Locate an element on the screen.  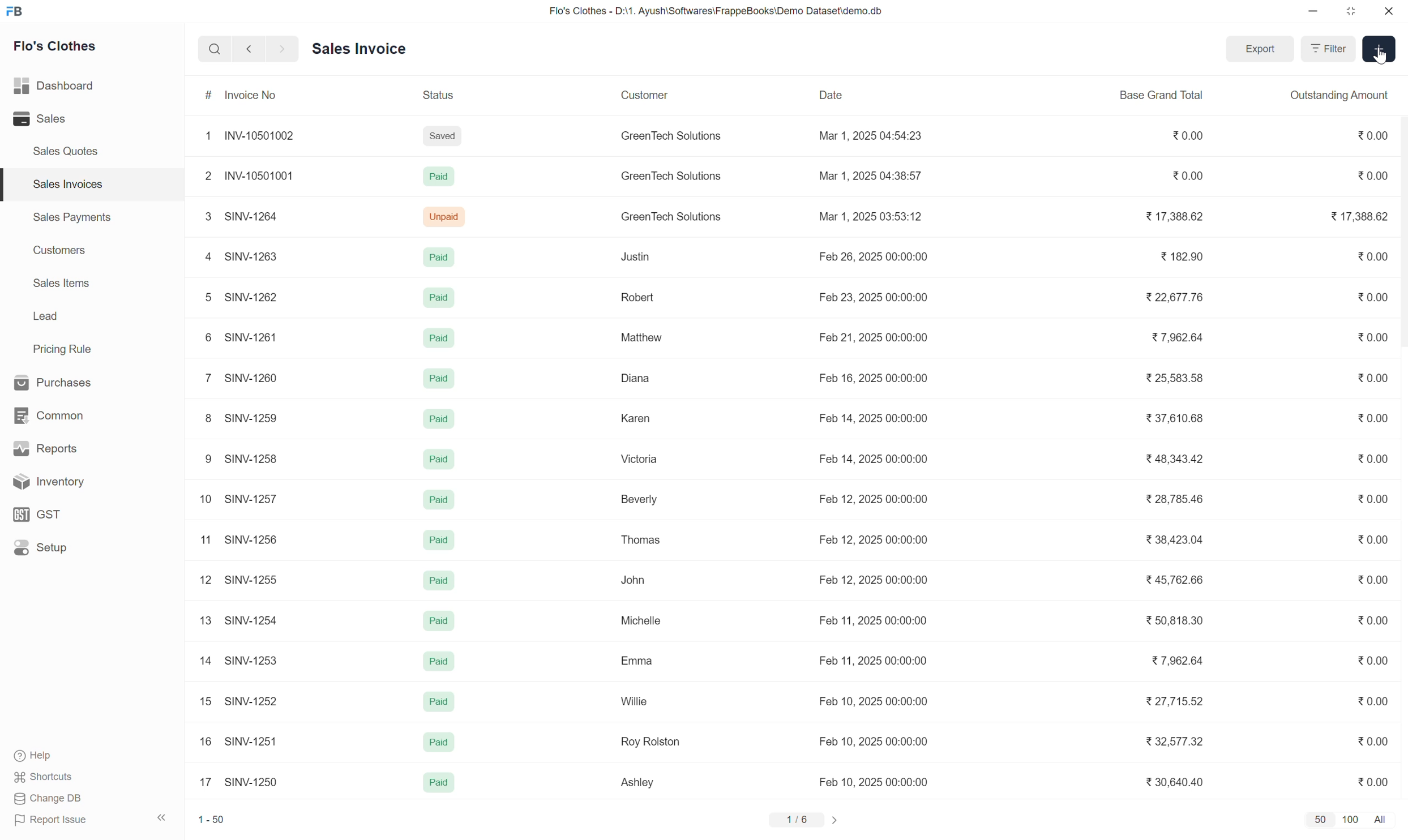
SINV-1264 is located at coordinates (251, 215).